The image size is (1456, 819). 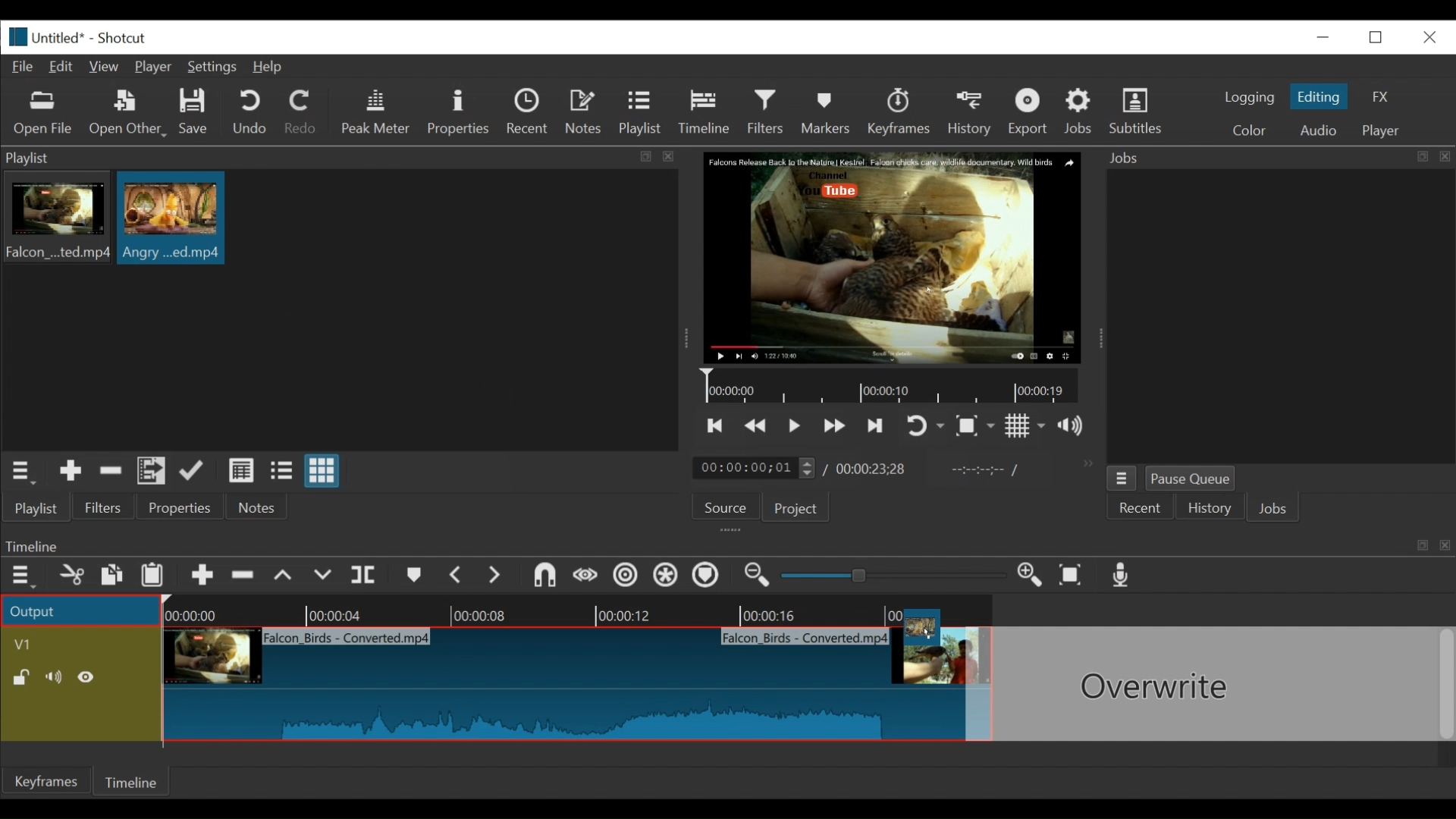 What do you see at coordinates (334, 158) in the screenshot?
I see `playlist panel` at bounding box center [334, 158].